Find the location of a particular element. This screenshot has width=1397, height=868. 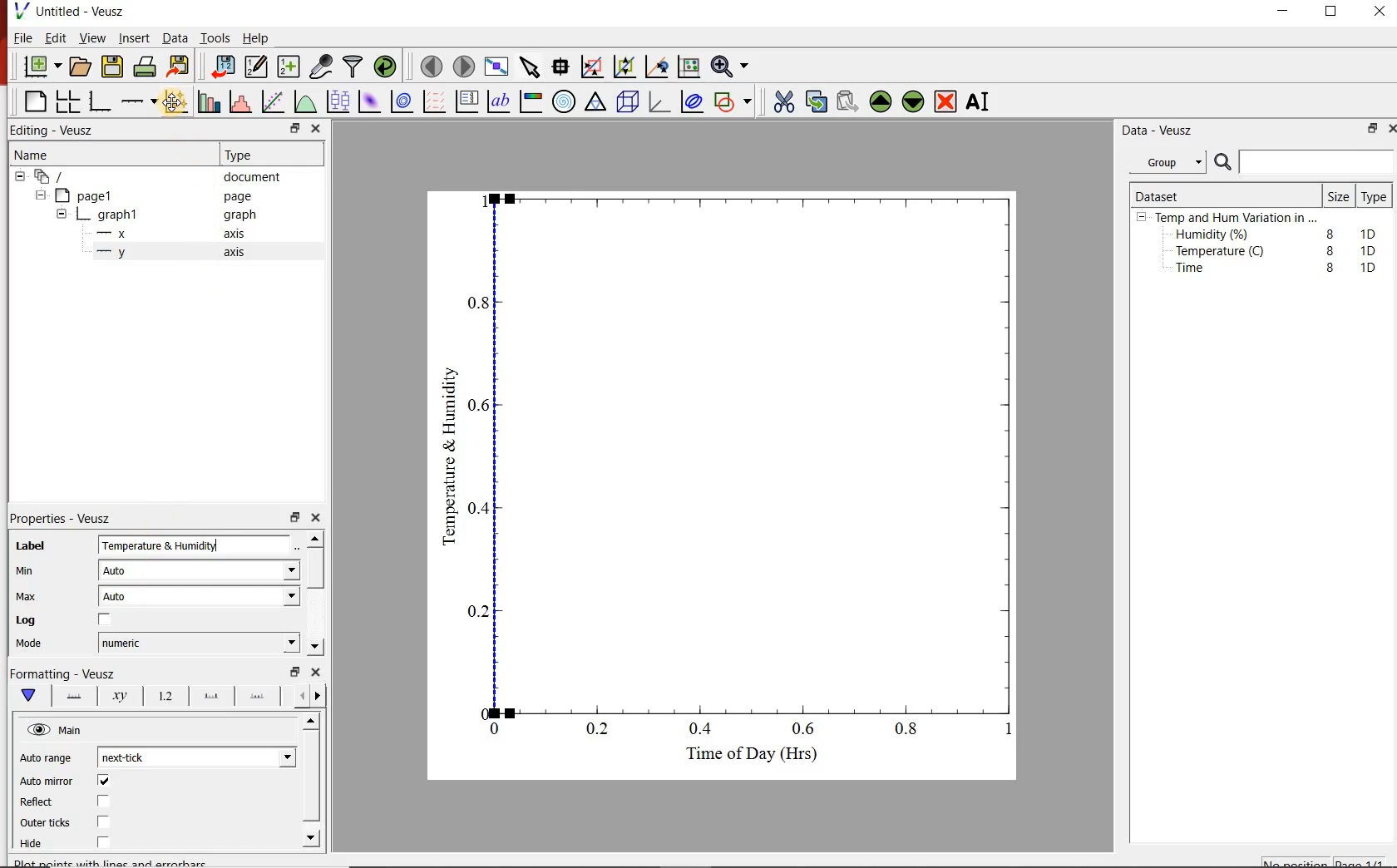

x is located at coordinates (120, 234).